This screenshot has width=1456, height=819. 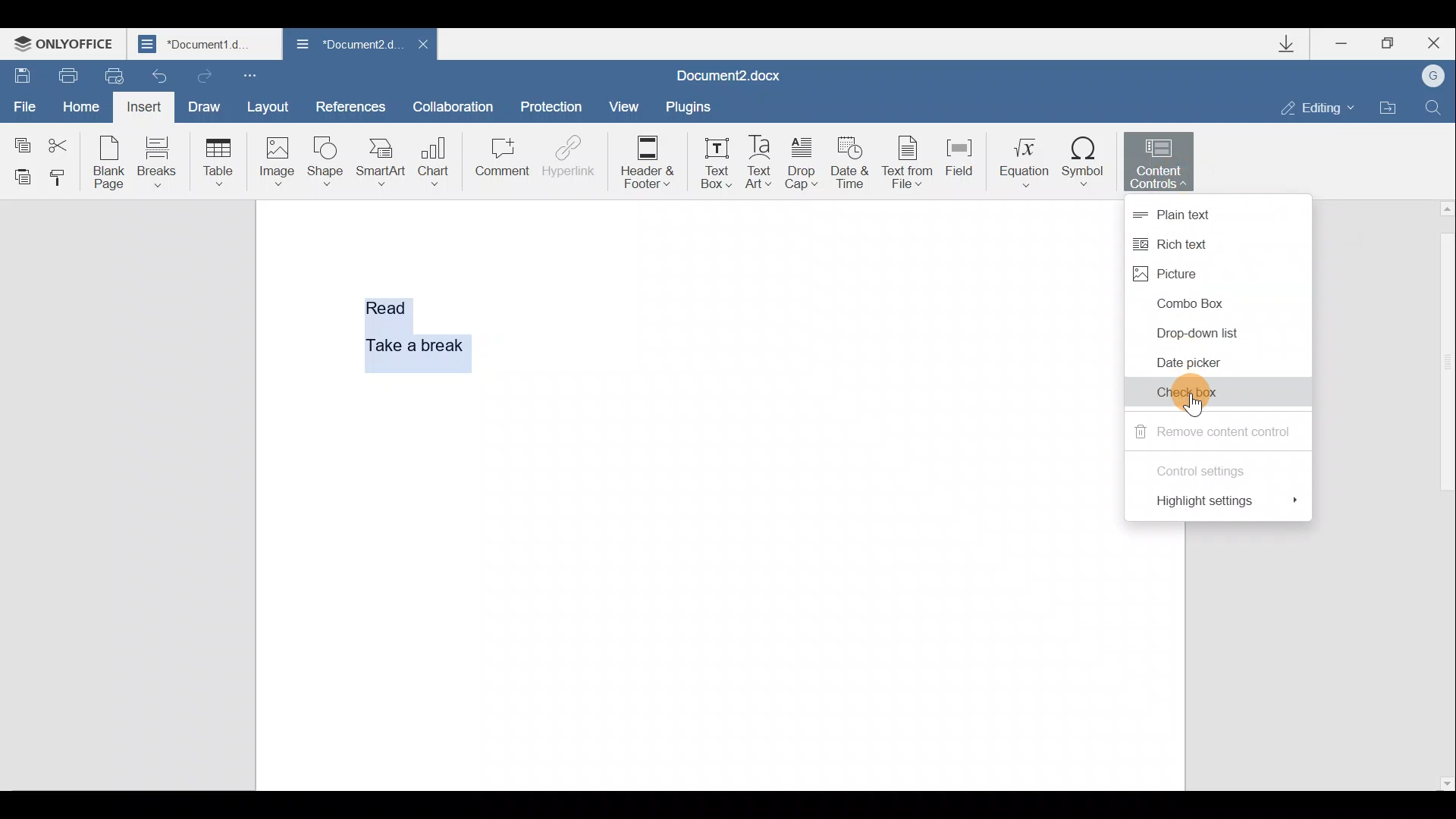 What do you see at coordinates (686, 106) in the screenshot?
I see `Plugins` at bounding box center [686, 106].